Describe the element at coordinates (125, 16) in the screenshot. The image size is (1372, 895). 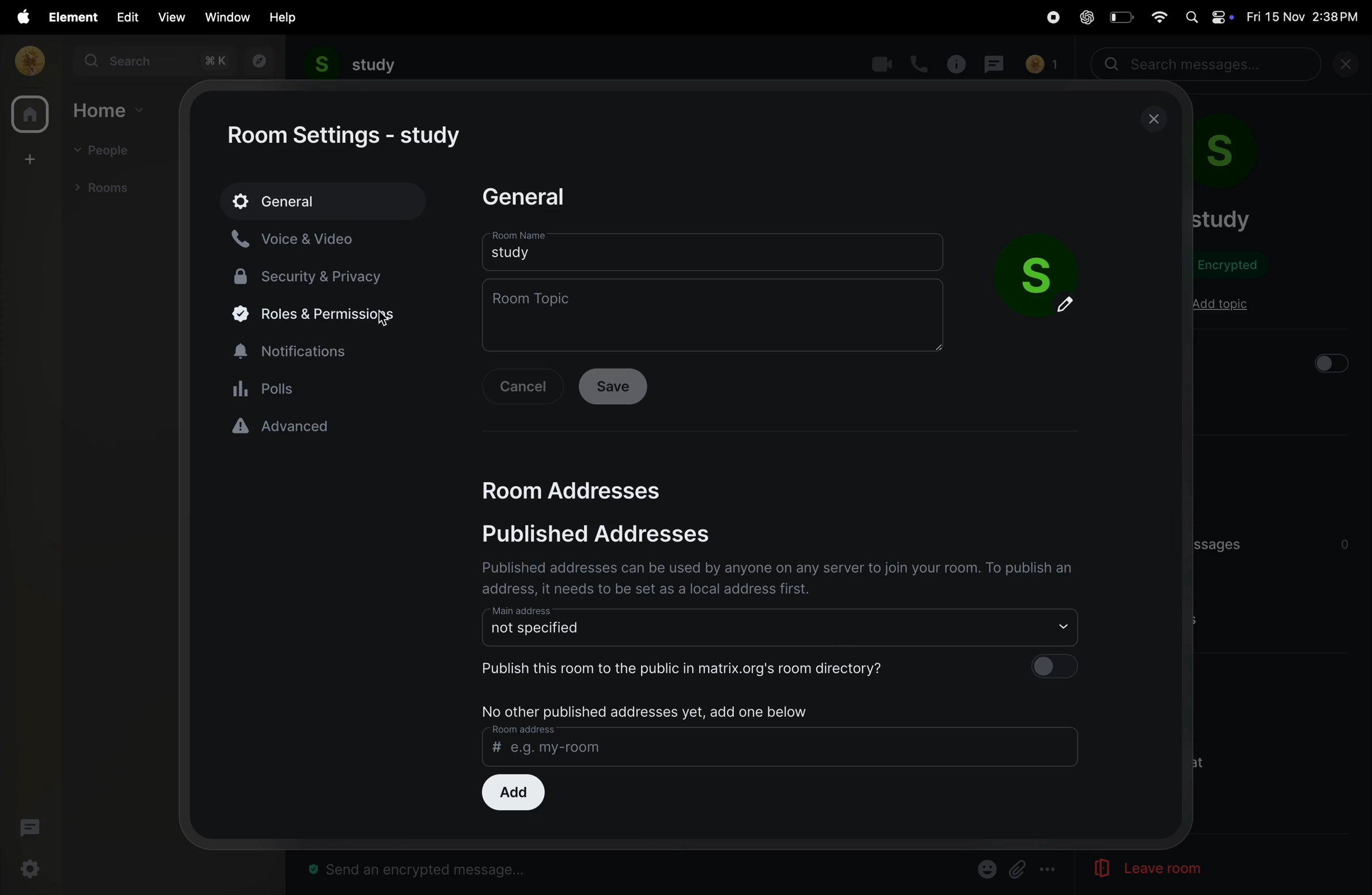
I see `edit` at that location.